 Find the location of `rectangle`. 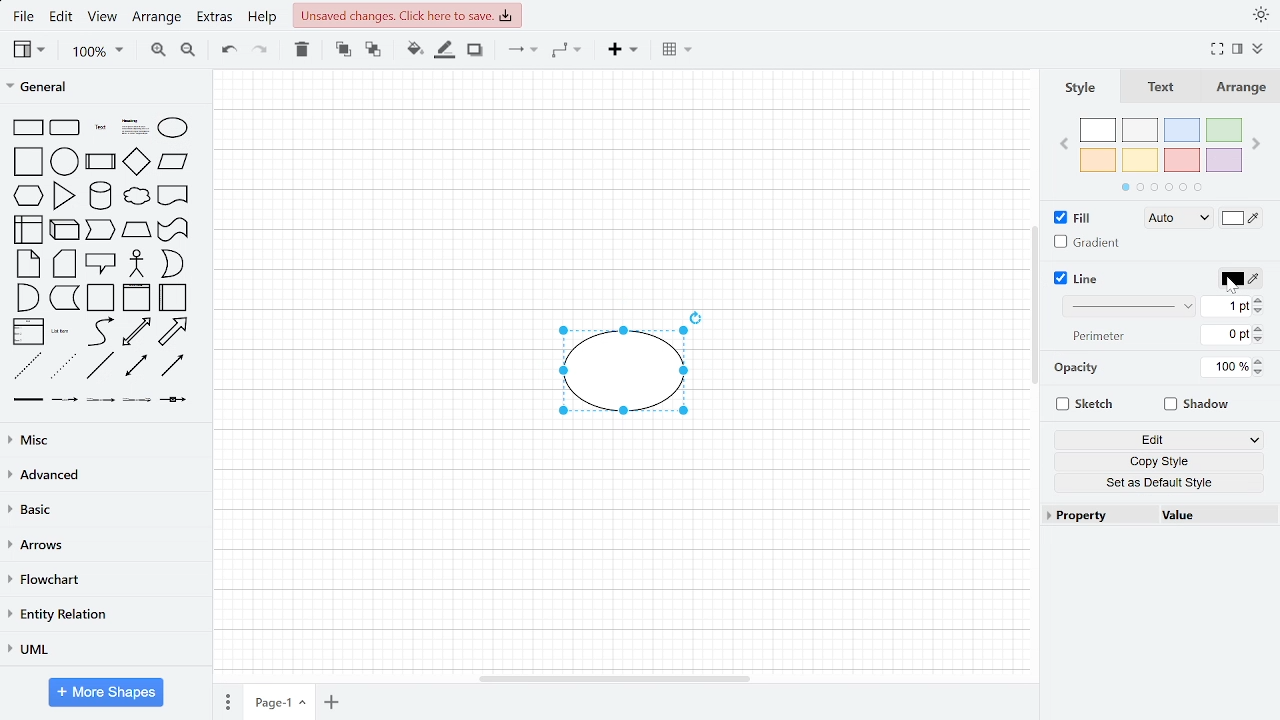

rectangle is located at coordinates (28, 128).